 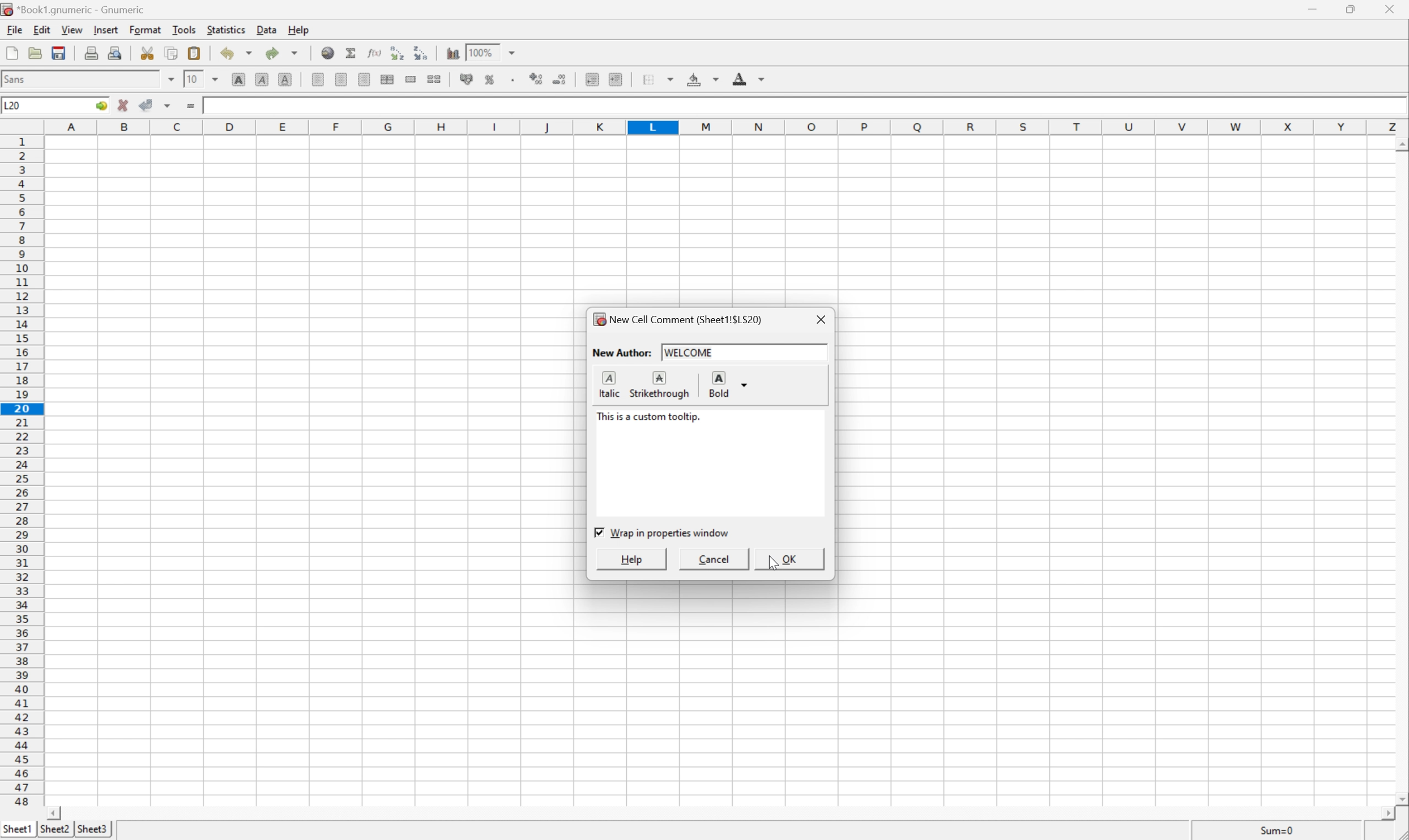 What do you see at coordinates (195, 53) in the screenshot?
I see `Paste clipboard` at bounding box center [195, 53].